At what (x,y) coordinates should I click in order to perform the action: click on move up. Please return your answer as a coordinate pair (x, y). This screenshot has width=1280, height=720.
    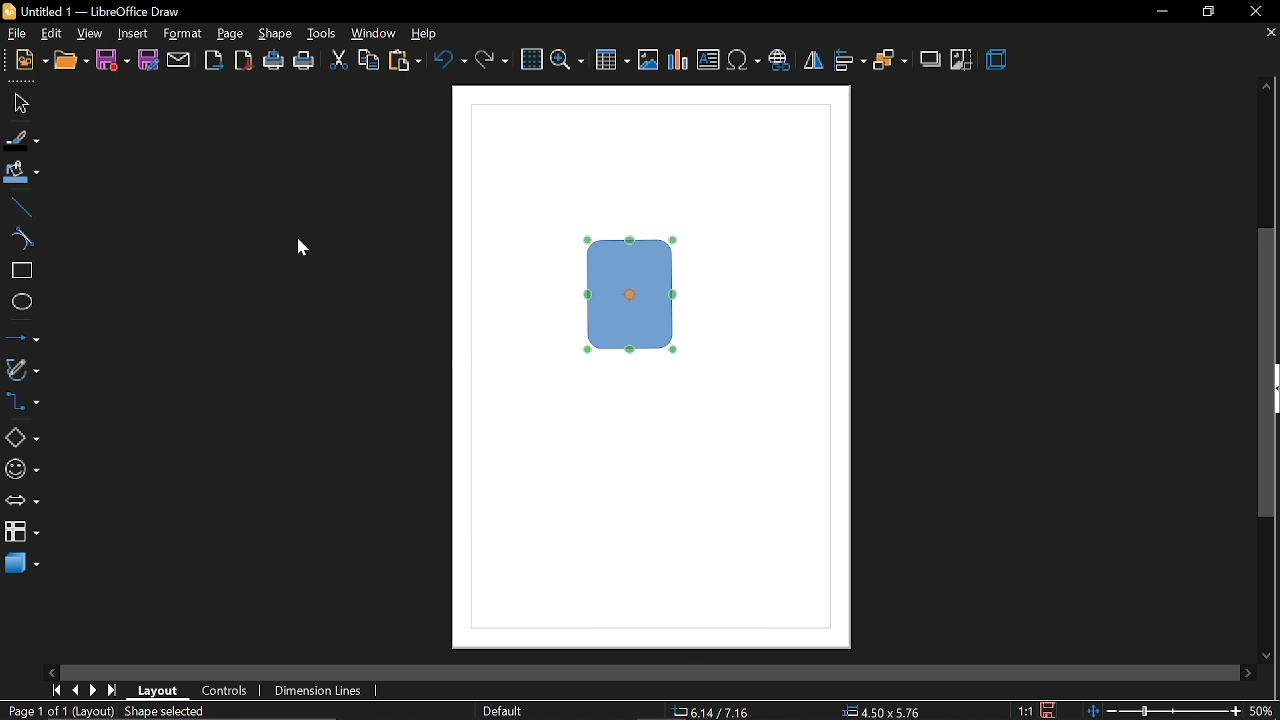
    Looking at the image, I should click on (1268, 87).